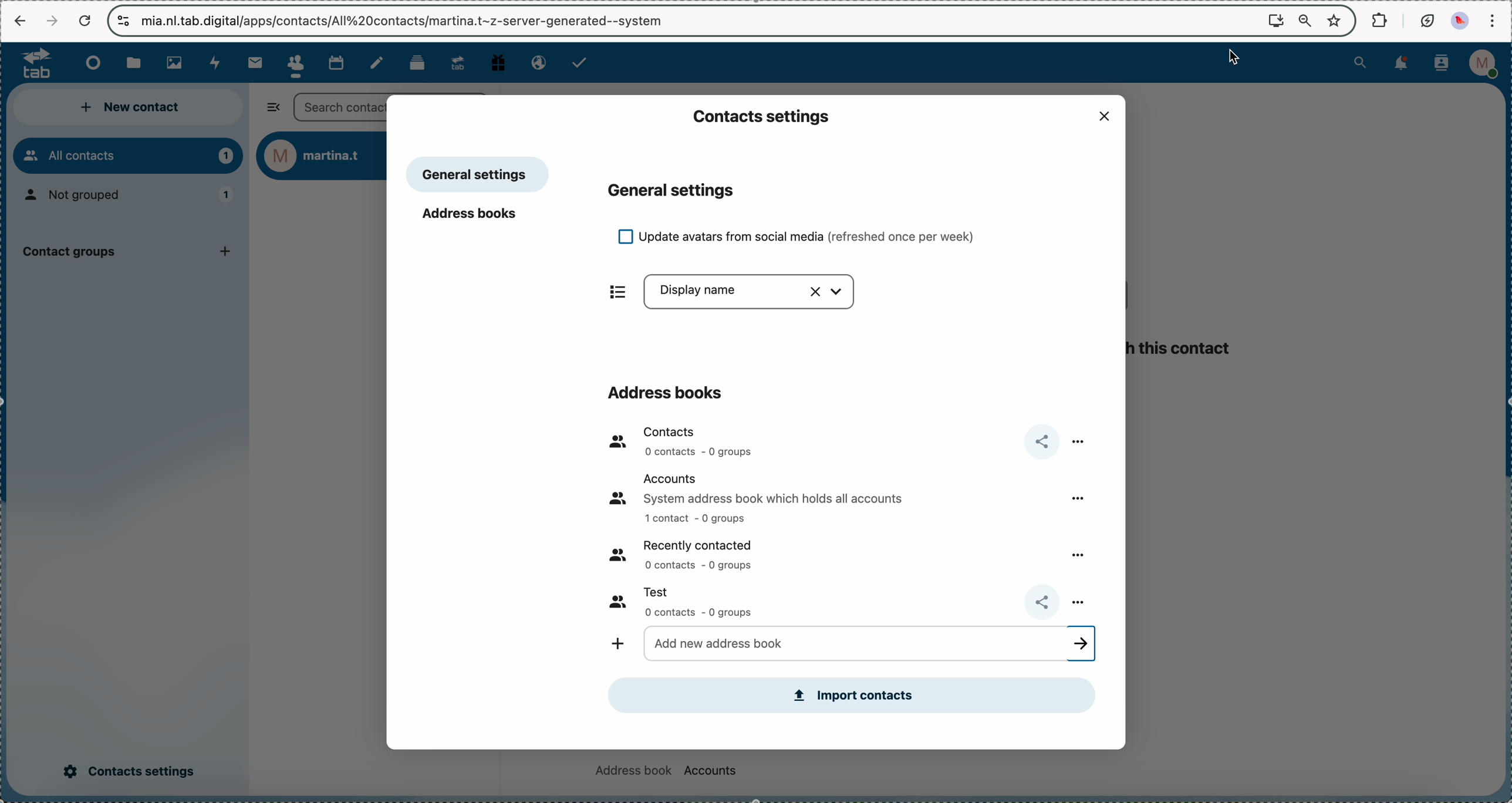 This screenshot has height=803, width=1512. What do you see at coordinates (270, 110) in the screenshot?
I see `hide sidebar` at bounding box center [270, 110].